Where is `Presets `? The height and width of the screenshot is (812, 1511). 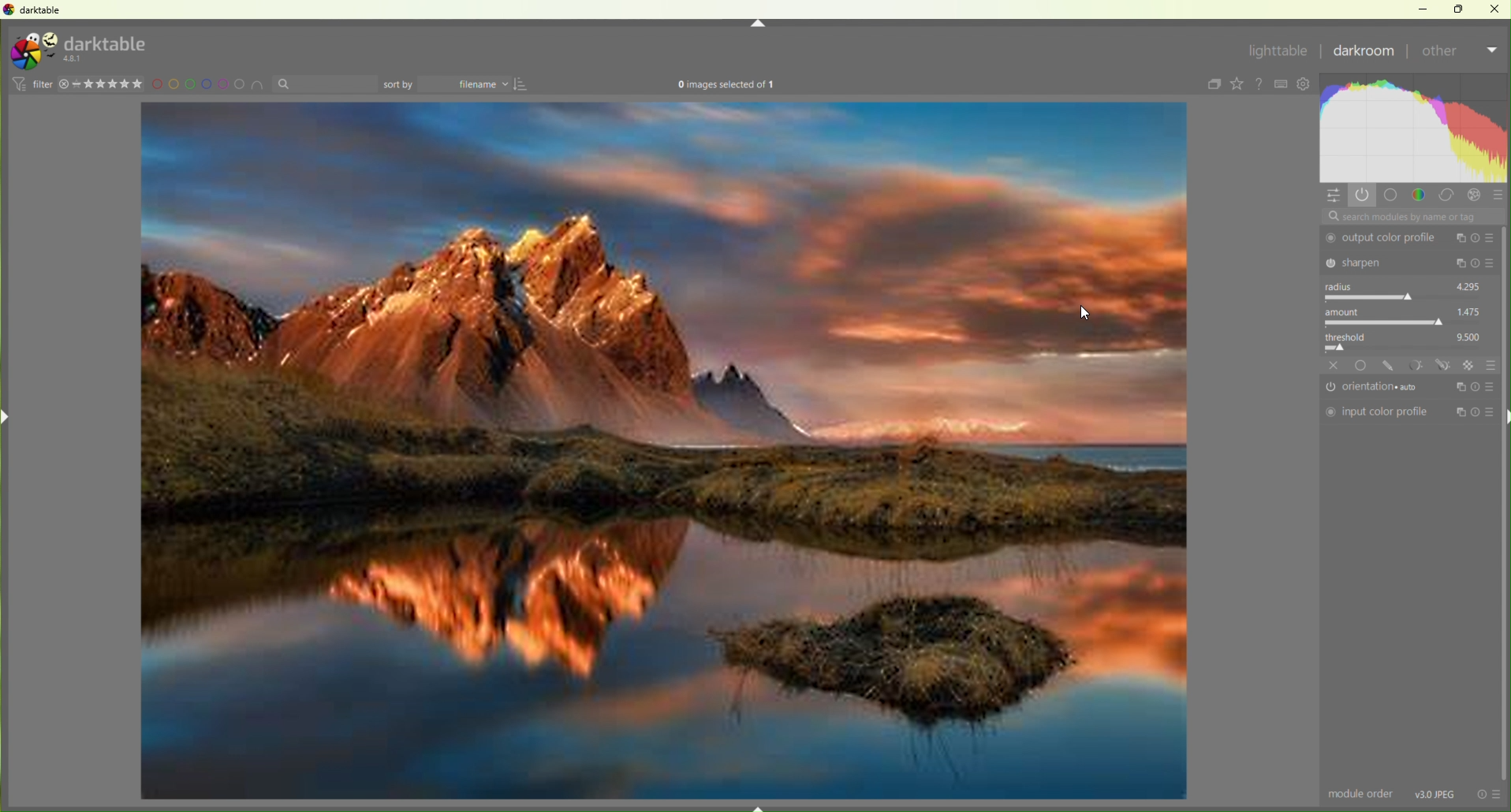
Presets  is located at coordinates (1499, 197).